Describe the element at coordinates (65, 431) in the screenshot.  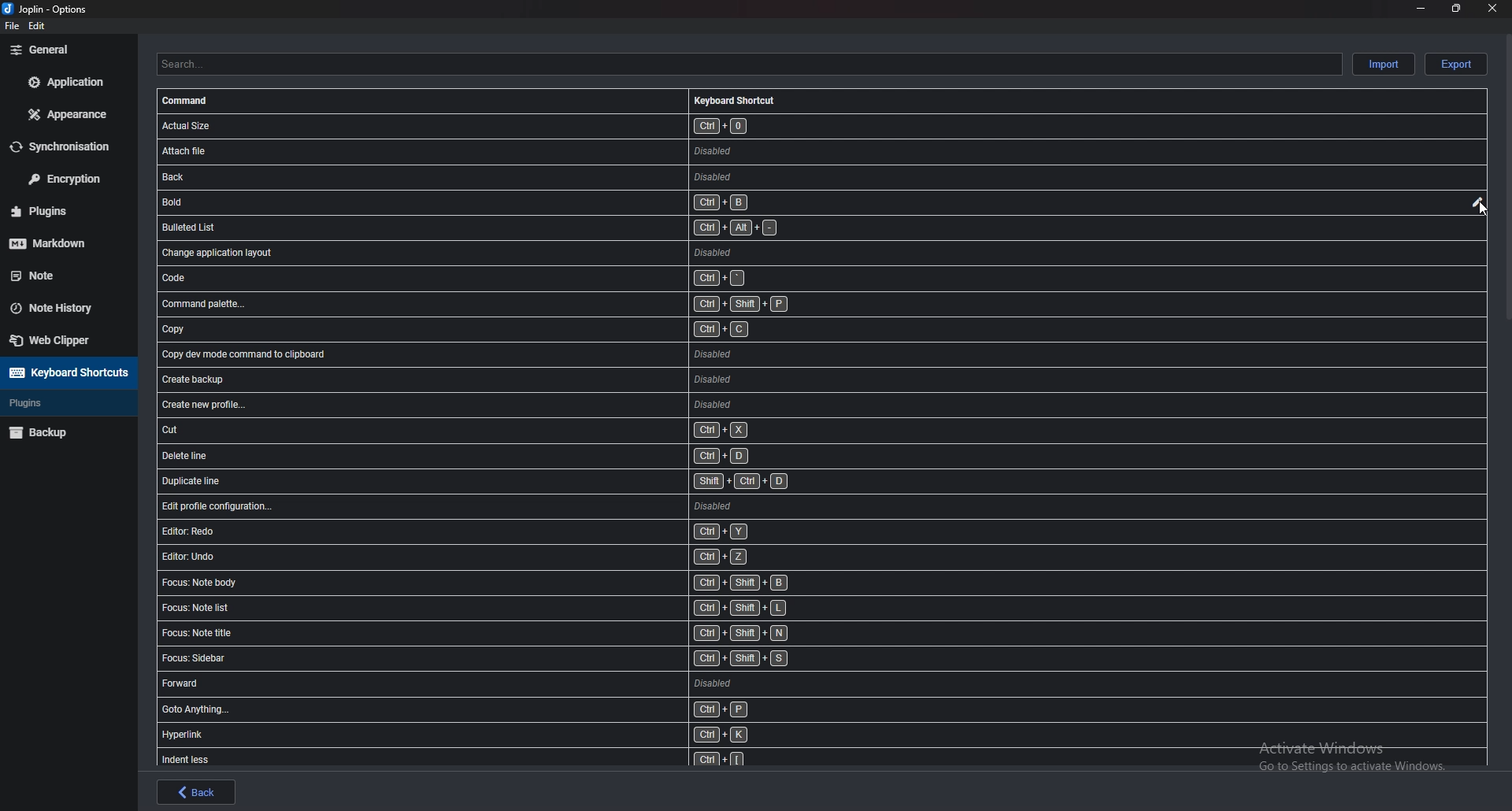
I see `Backup` at that location.